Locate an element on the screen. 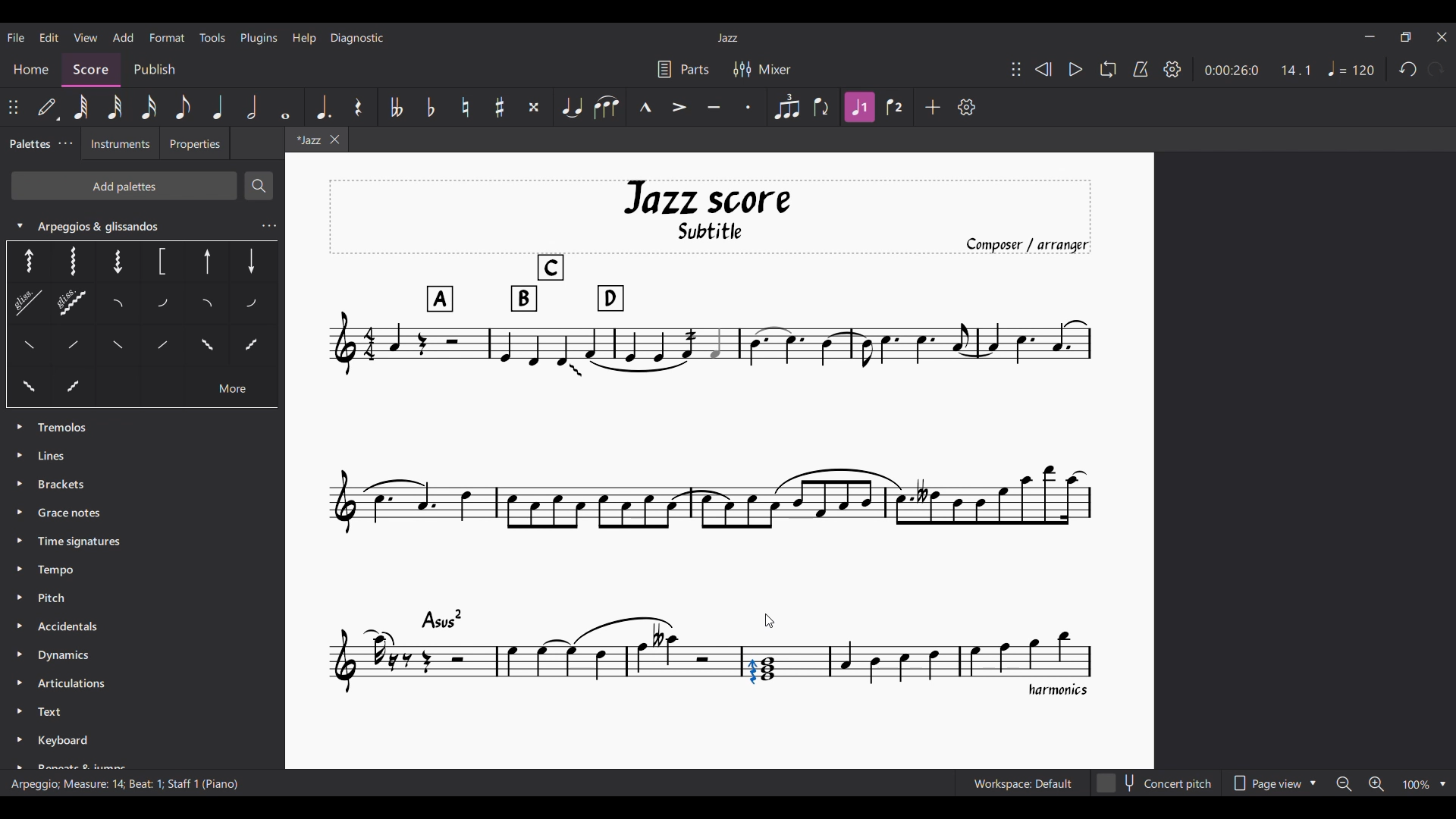 This screenshot has width=1456, height=819. Highlighted due to current selection is located at coordinates (860, 107).